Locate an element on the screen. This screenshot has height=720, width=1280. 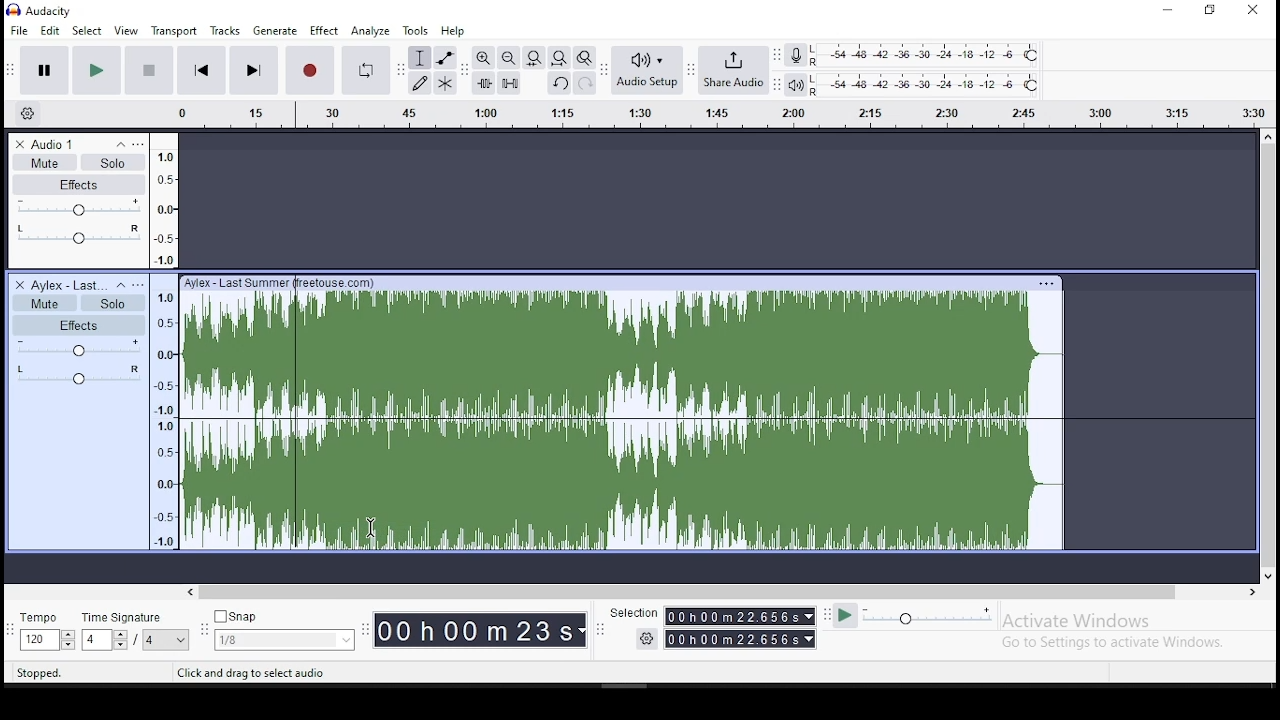
delete track is located at coordinates (20, 145).